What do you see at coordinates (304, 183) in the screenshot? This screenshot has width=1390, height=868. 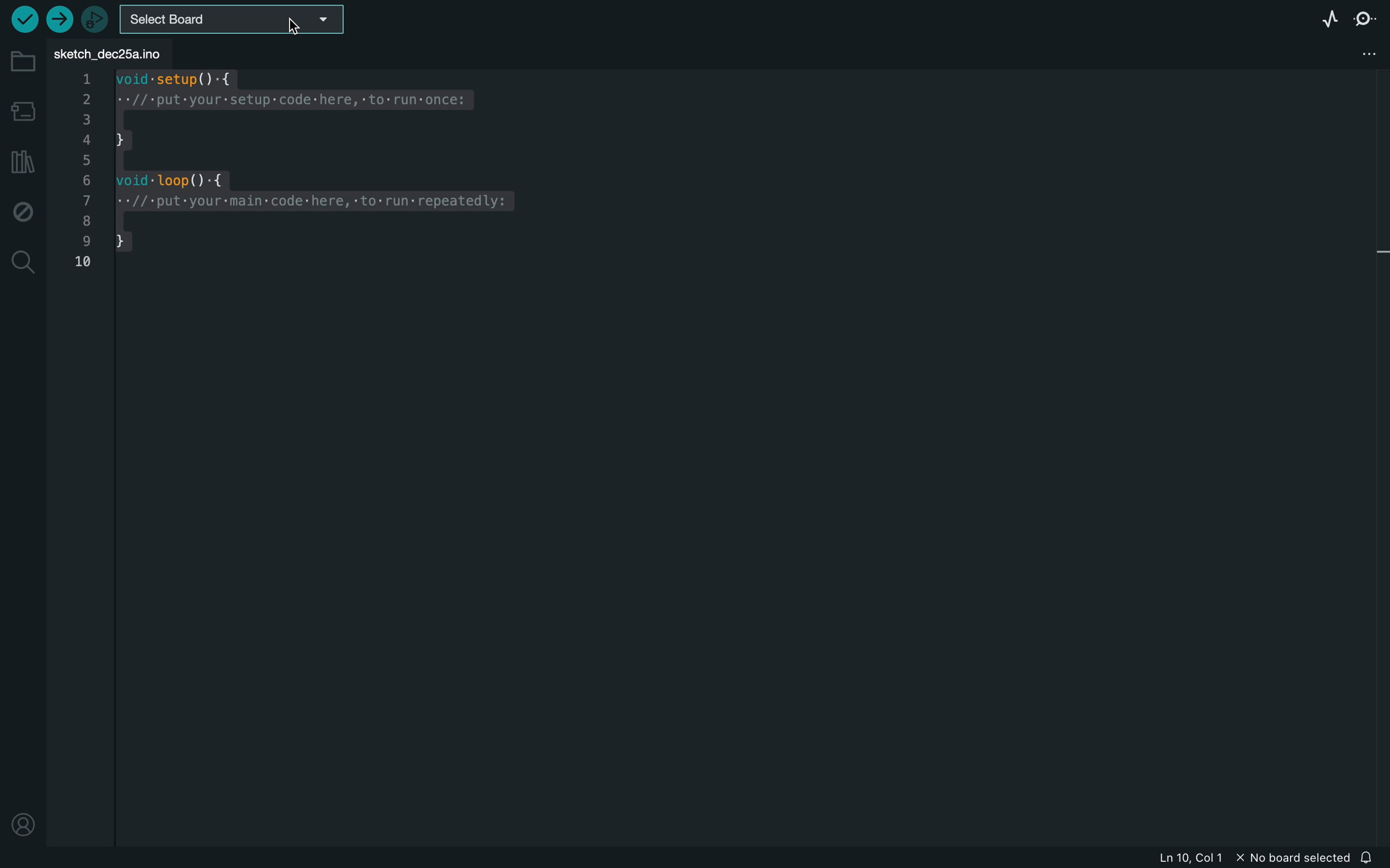 I see `code` at bounding box center [304, 183].